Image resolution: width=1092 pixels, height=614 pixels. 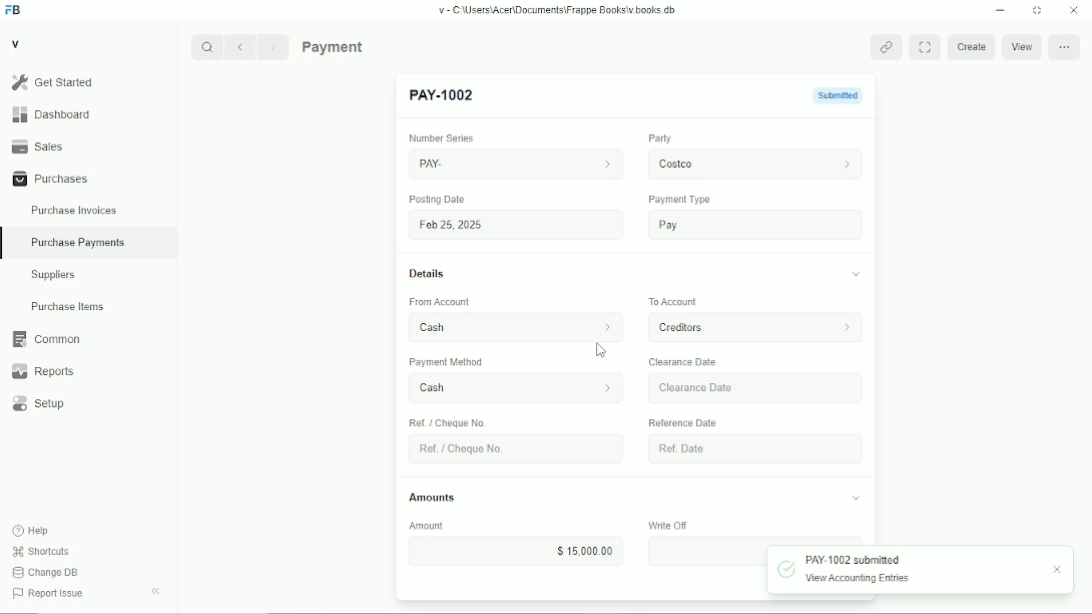 I want to click on Change DB, so click(x=46, y=573).